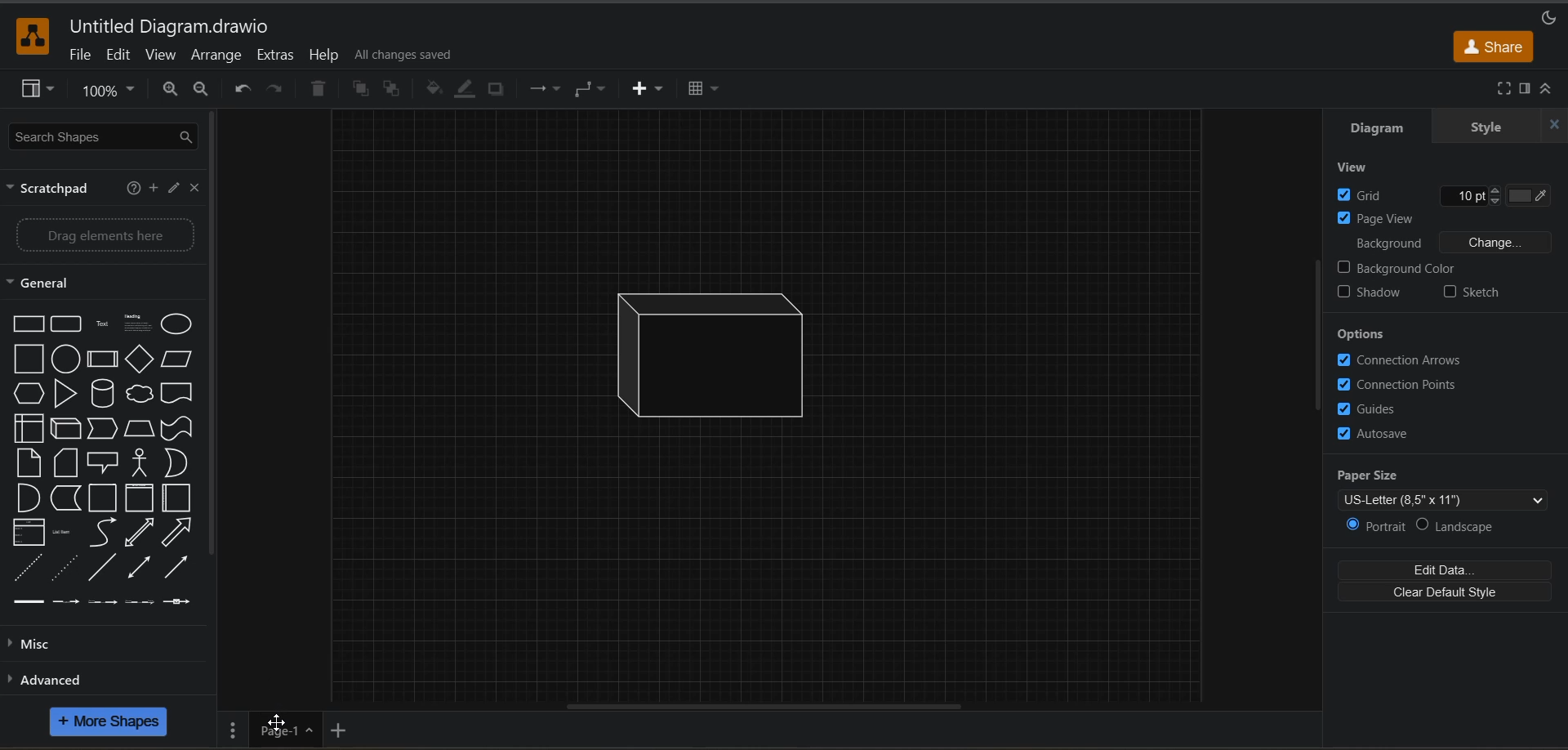 The height and width of the screenshot is (750, 1568). Describe the element at coordinates (1363, 167) in the screenshot. I see `view` at that location.